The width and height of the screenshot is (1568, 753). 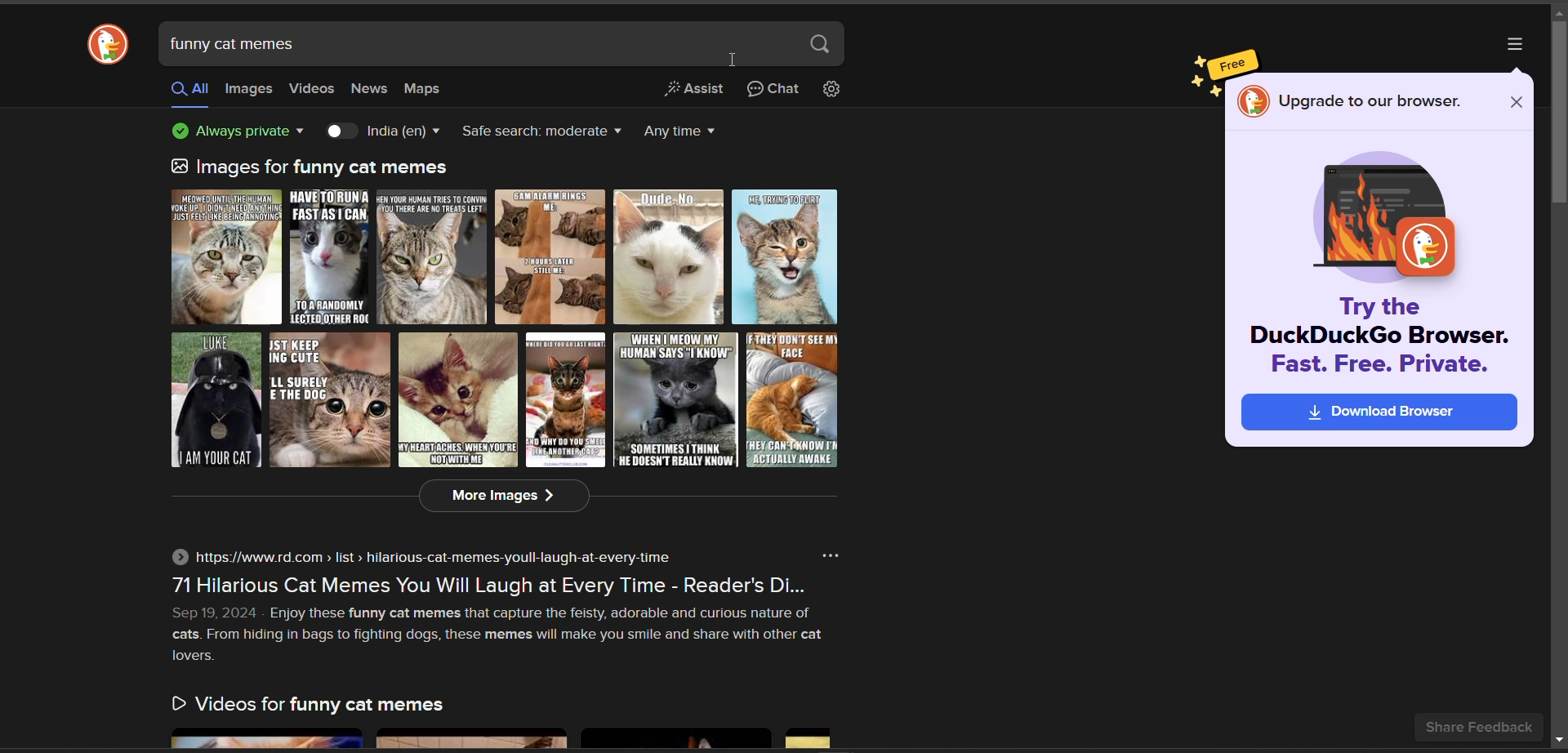 What do you see at coordinates (1516, 103) in the screenshot?
I see `close` at bounding box center [1516, 103].